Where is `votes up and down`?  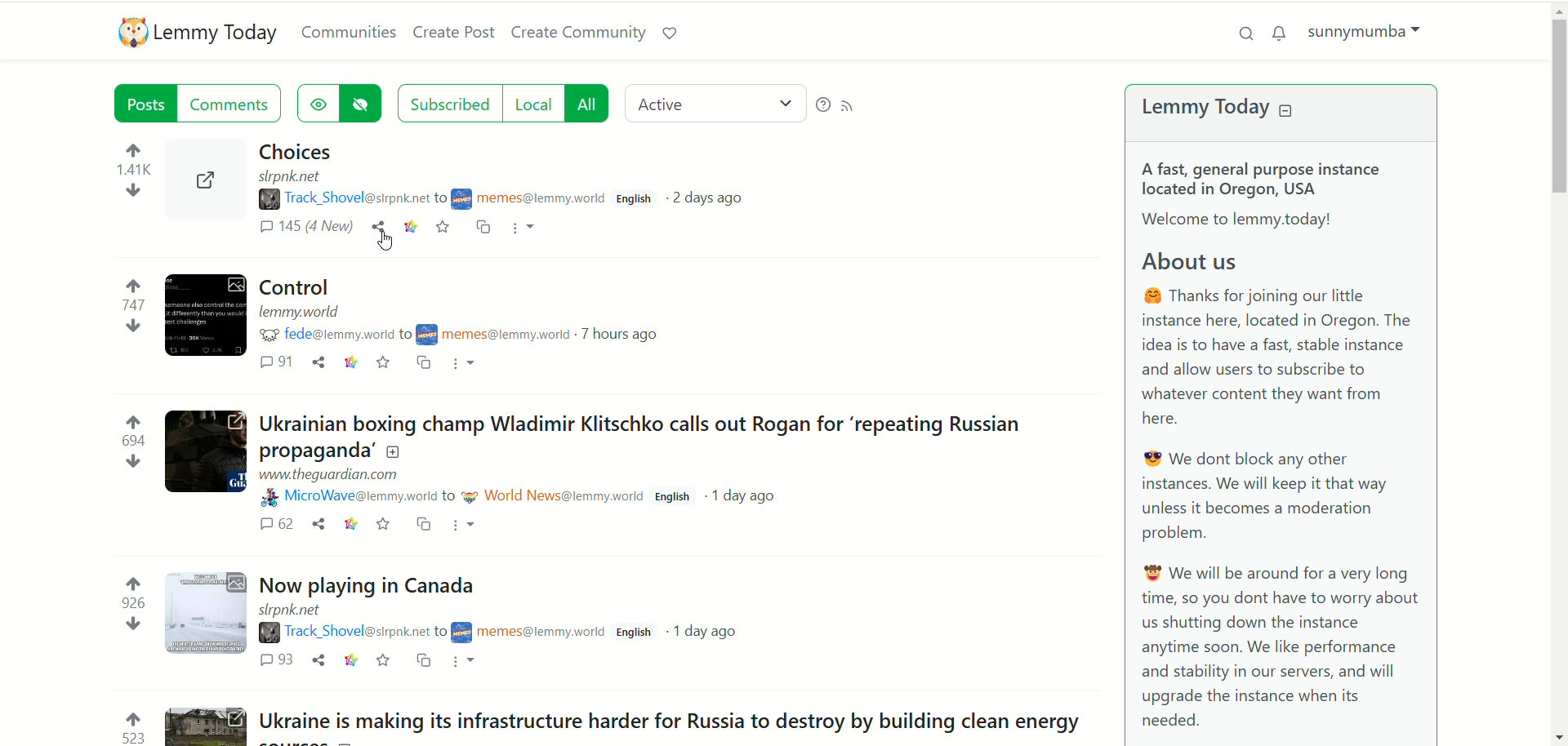
votes up and down is located at coordinates (131, 605).